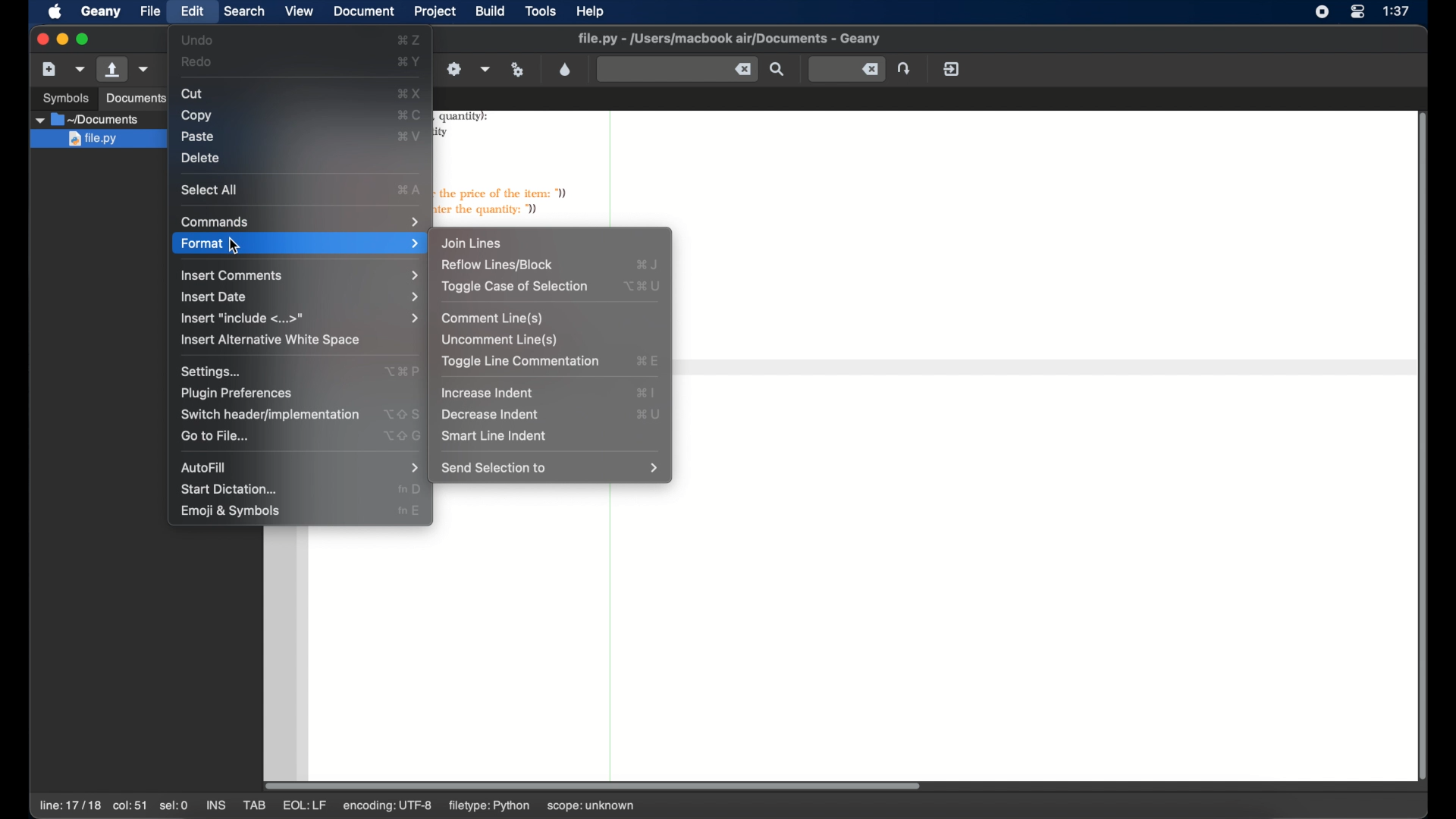 This screenshot has width=1456, height=819. I want to click on close, so click(41, 39).